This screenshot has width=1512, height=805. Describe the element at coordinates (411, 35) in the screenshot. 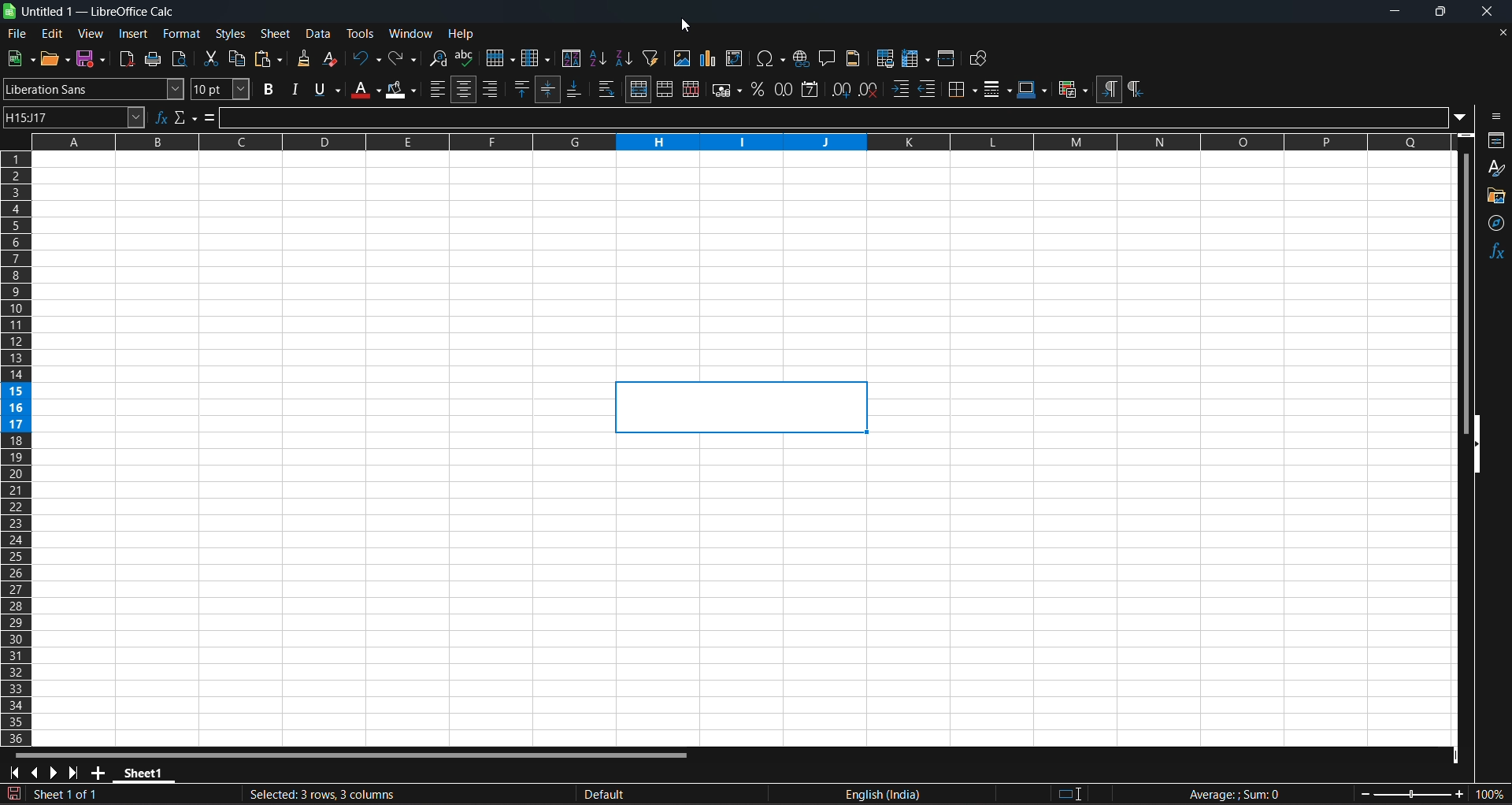

I see `window` at that location.